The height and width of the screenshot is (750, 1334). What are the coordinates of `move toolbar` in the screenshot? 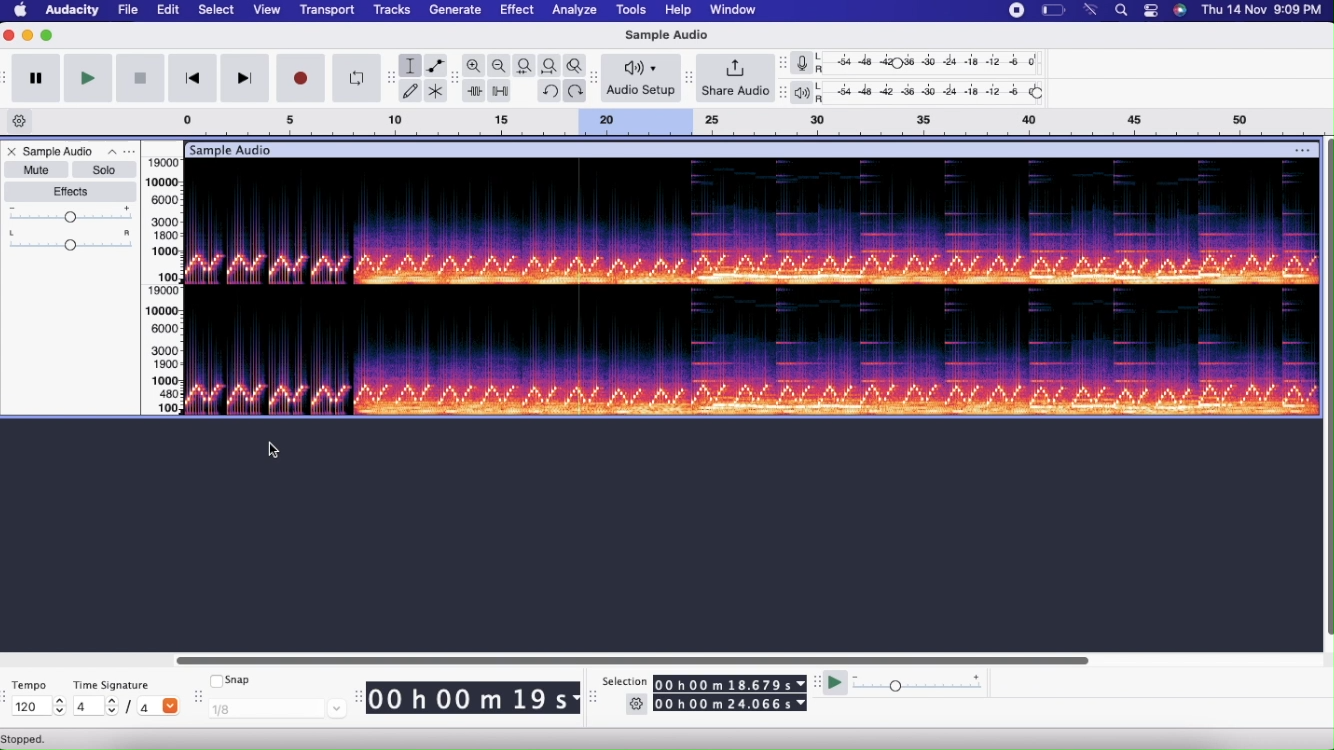 It's located at (784, 93).